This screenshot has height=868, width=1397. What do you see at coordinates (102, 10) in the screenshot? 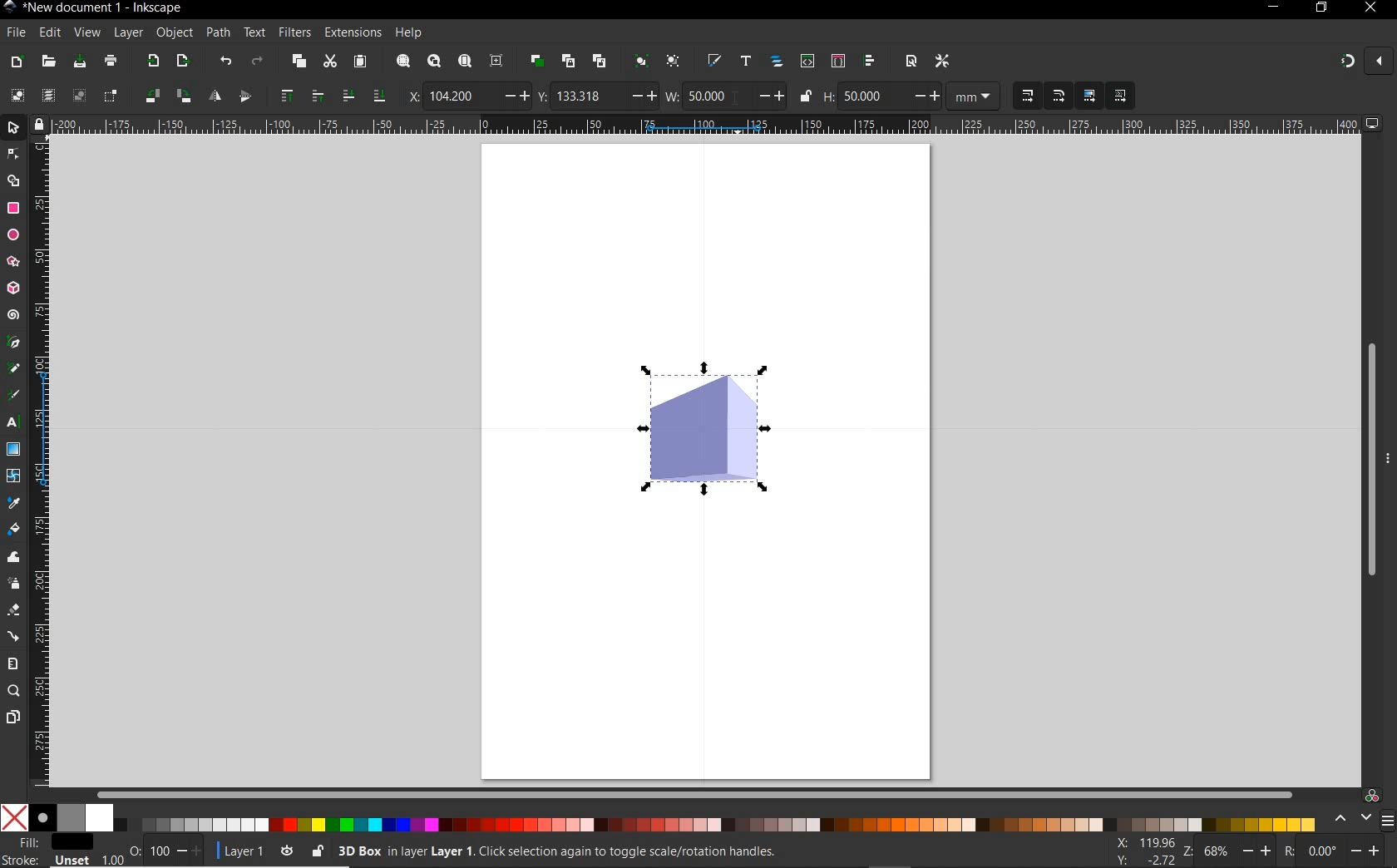
I see `title` at bounding box center [102, 10].